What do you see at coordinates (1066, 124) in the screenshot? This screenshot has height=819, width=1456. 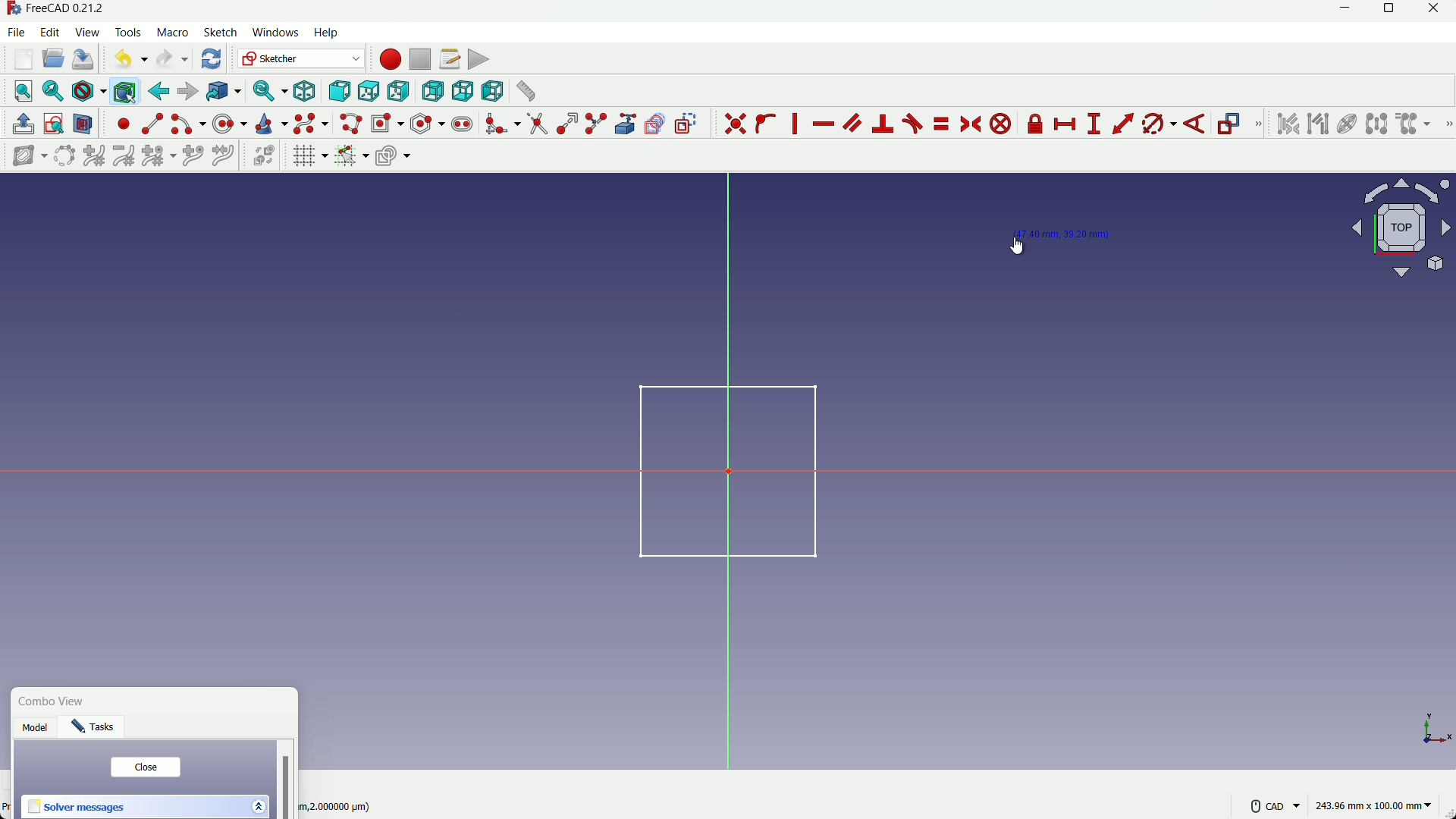 I see `constraint horizontal distance` at bounding box center [1066, 124].